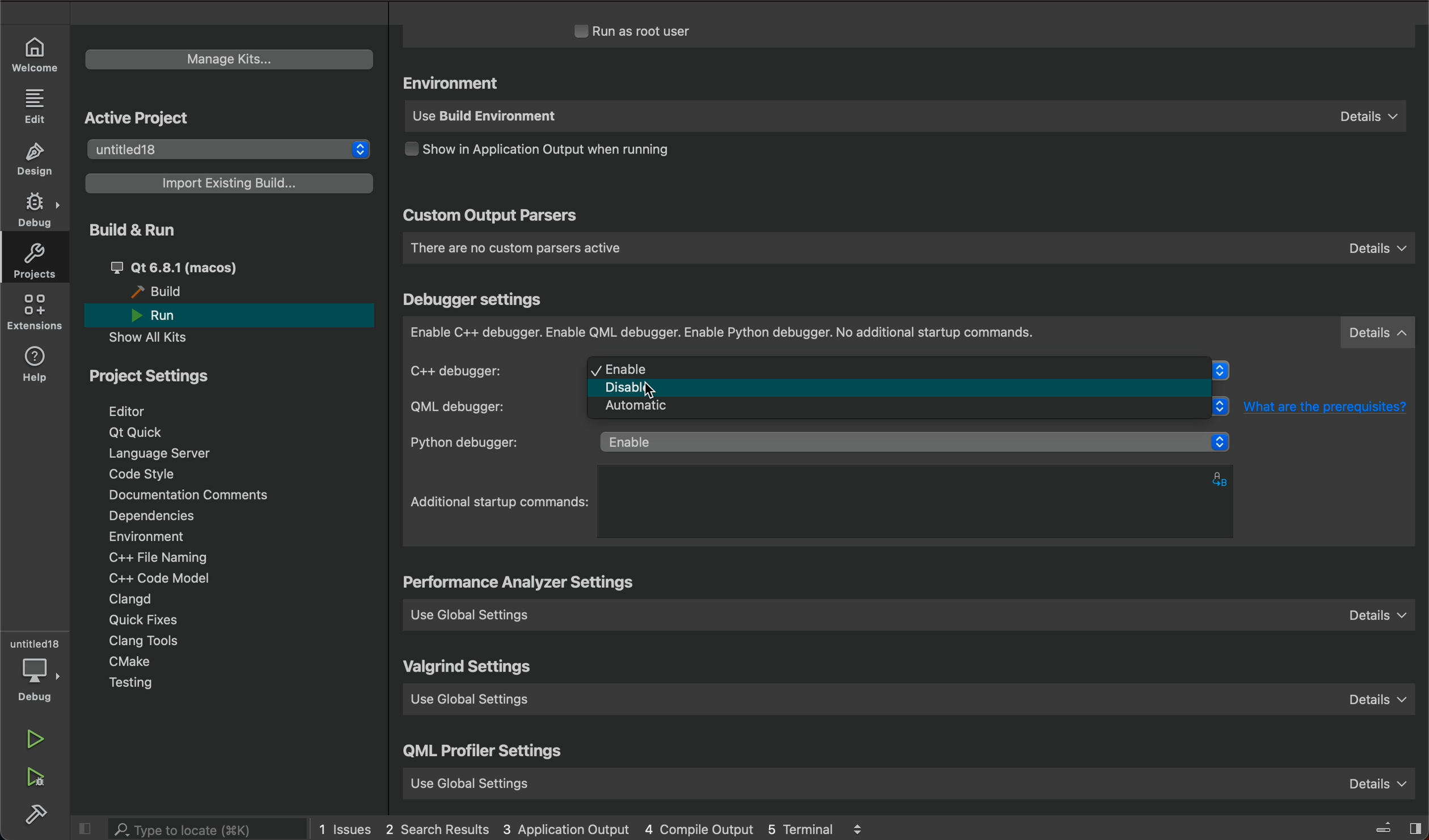 The height and width of the screenshot is (840, 1429). I want to click on environment, so click(455, 84).